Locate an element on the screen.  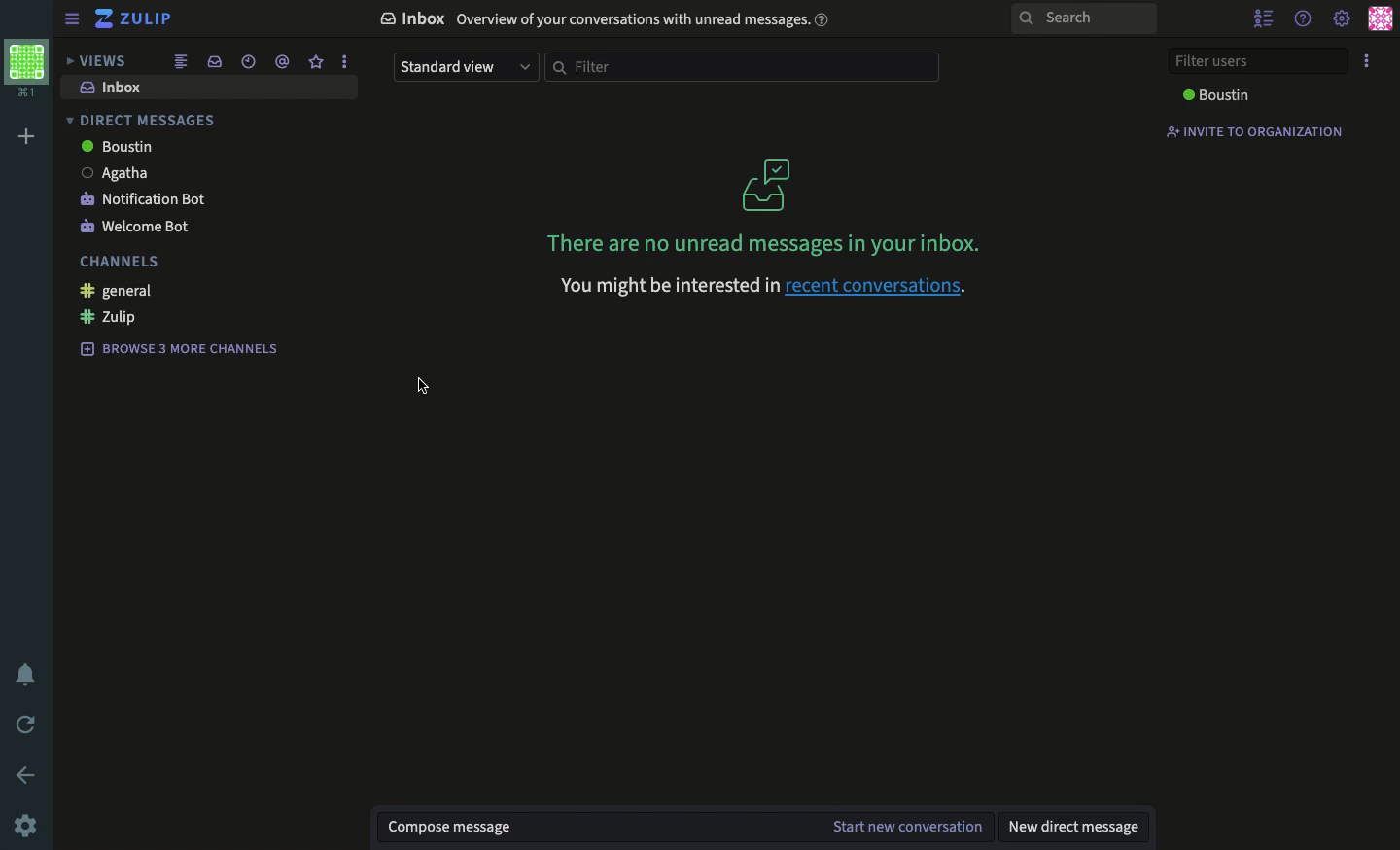
recent conversations. is located at coordinates (880, 289).